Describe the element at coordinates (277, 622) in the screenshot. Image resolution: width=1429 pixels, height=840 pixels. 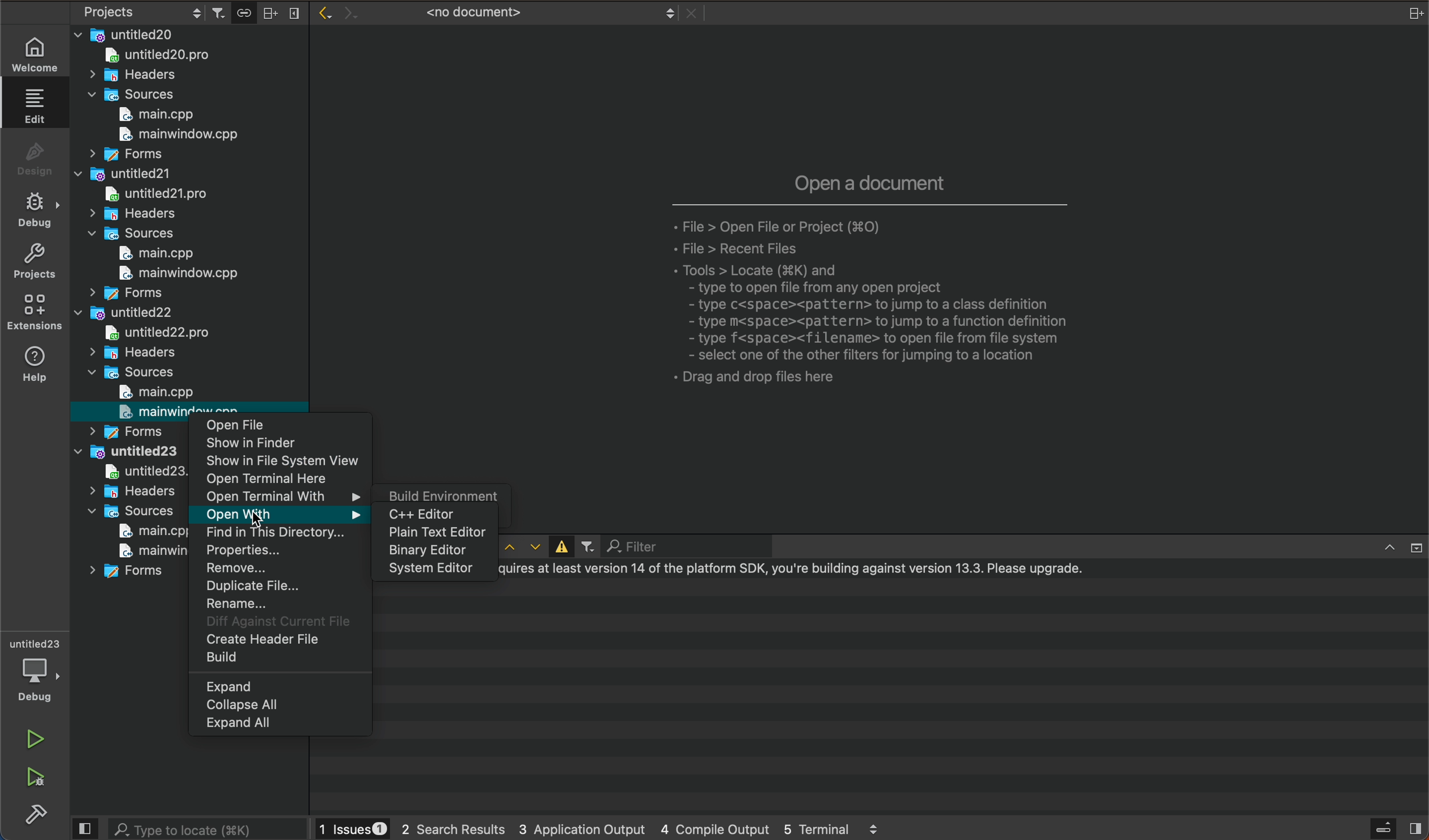
I see `diff` at that location.